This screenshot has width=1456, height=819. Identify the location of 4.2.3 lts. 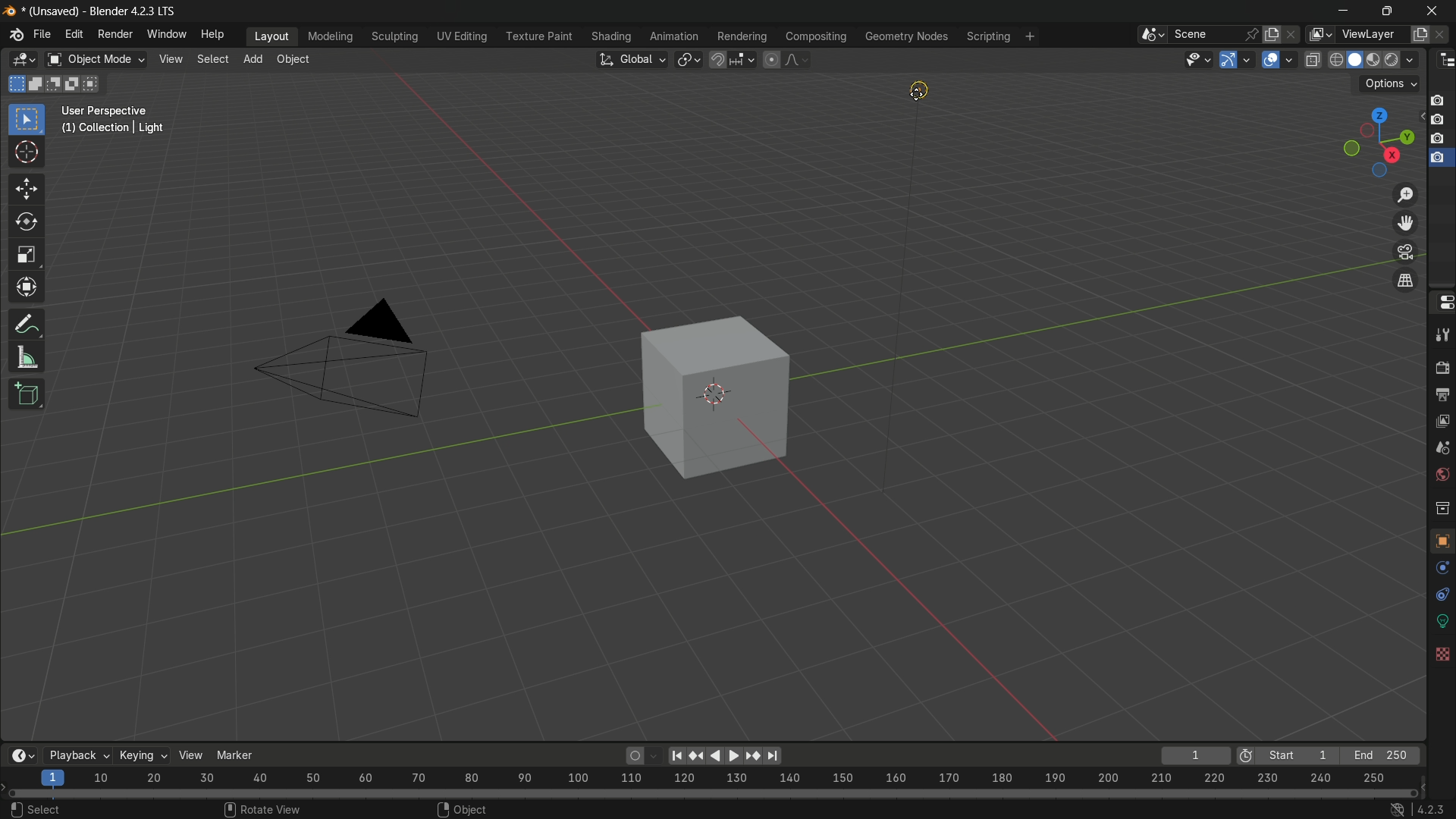
(1415, 808).